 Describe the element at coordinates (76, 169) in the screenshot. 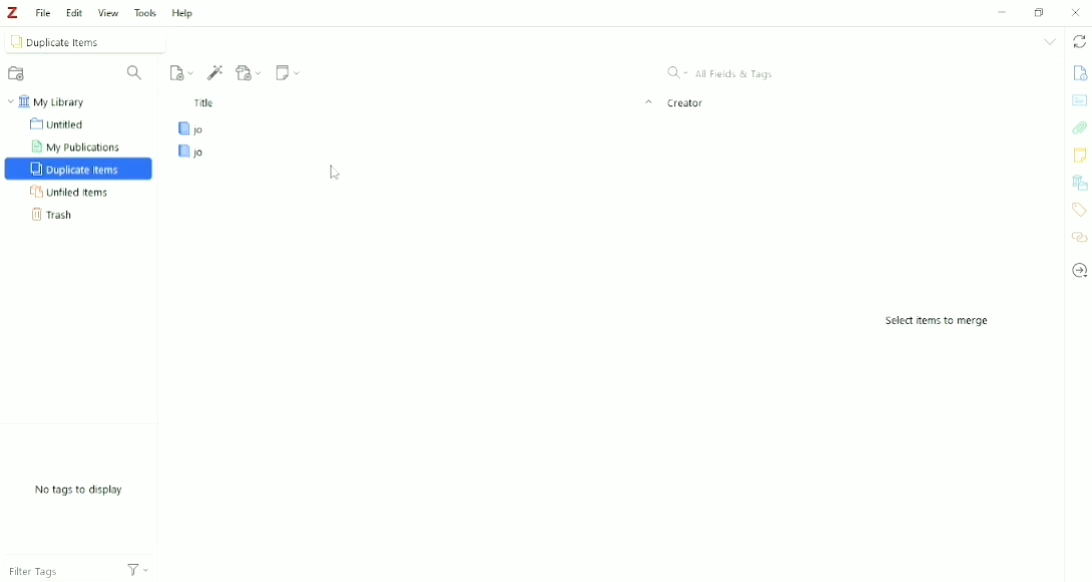

I see `Duplicate Items` at that location.